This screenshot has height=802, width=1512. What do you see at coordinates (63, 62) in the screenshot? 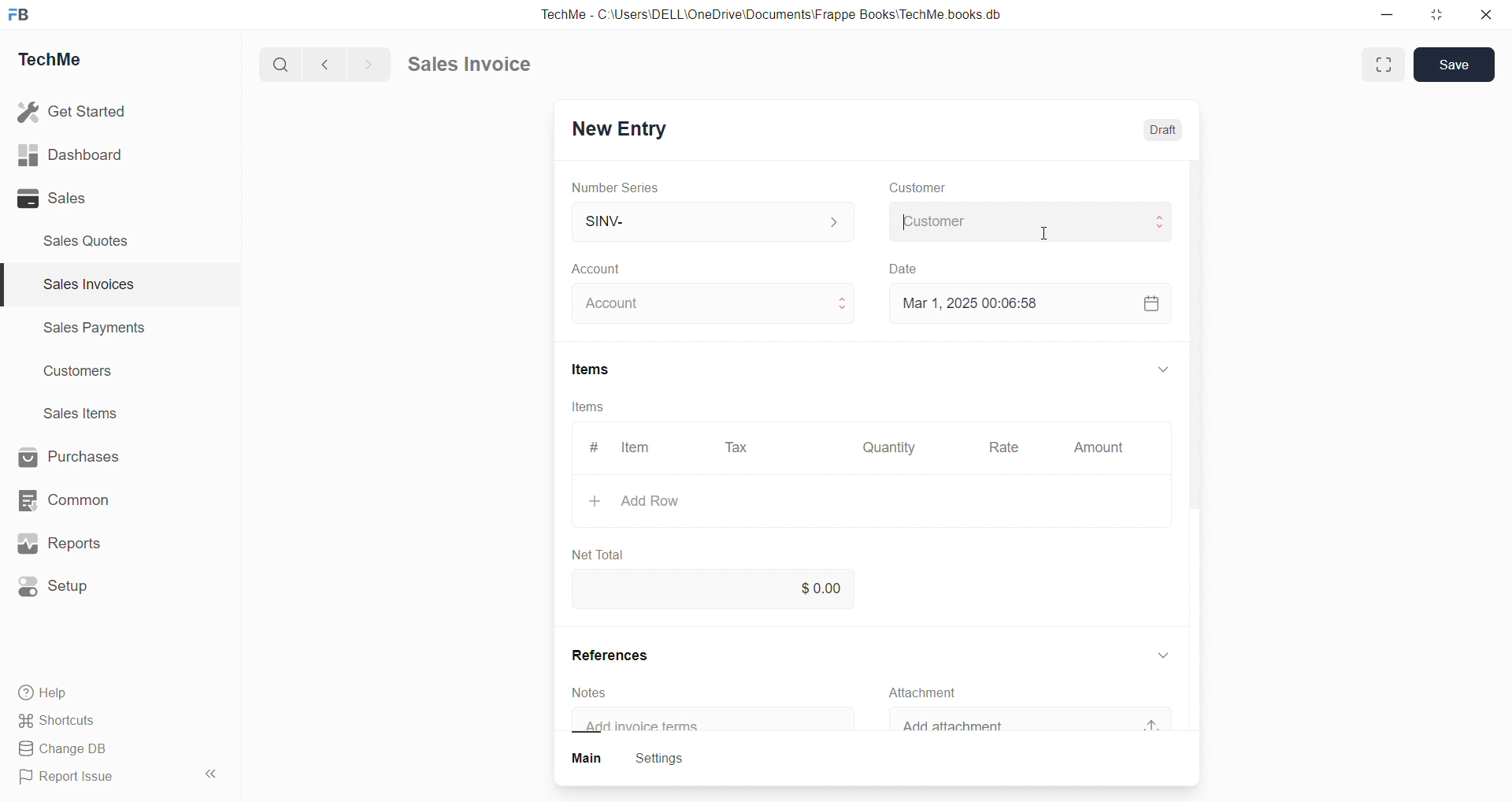
I see `TechMe` at bounding box center [63, 62].